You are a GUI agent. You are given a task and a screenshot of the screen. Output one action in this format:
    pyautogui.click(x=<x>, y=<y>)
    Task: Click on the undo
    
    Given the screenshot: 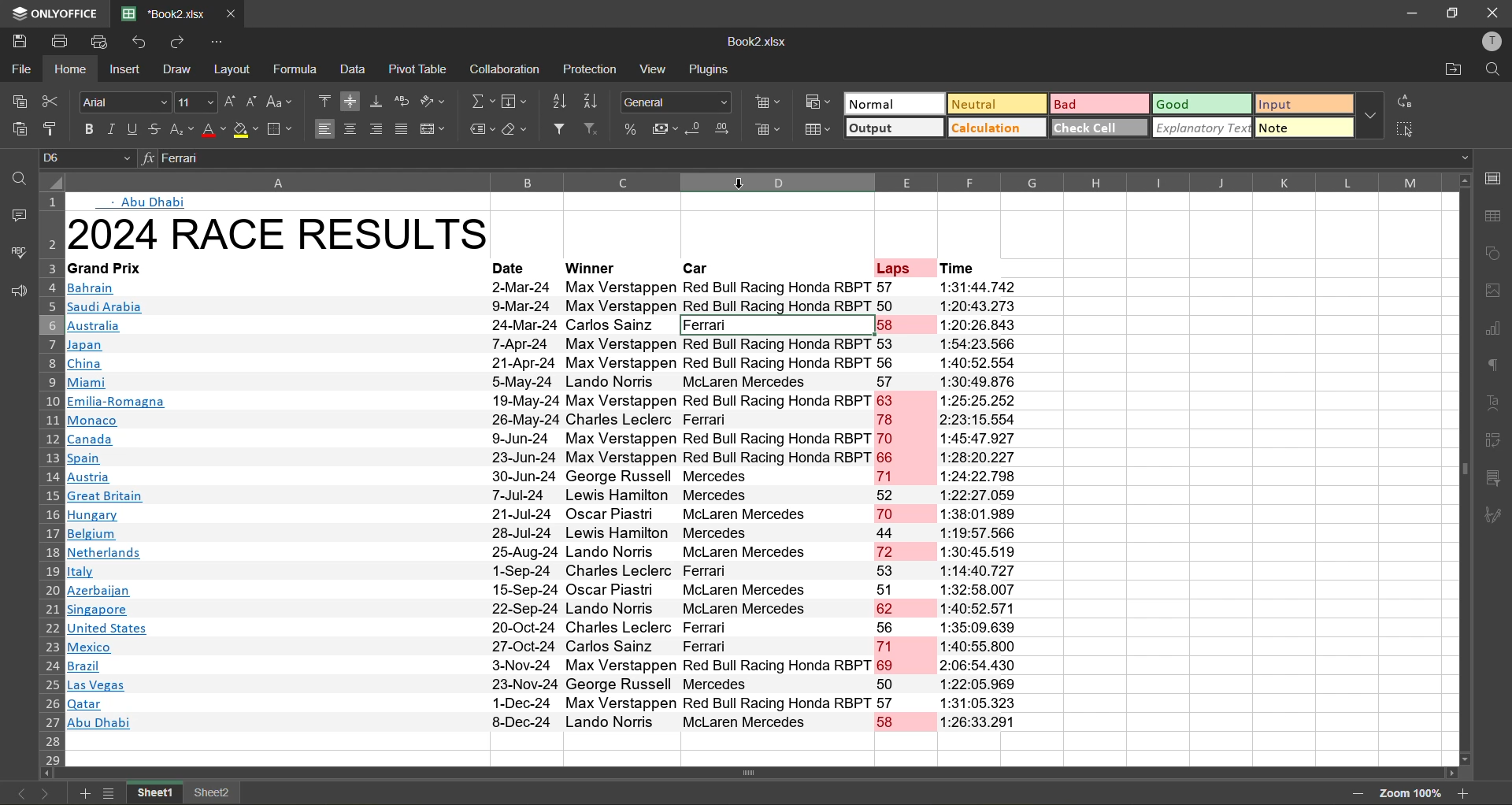 What is the action you would take?
    pyautogui.click(x=137, y=42)
    